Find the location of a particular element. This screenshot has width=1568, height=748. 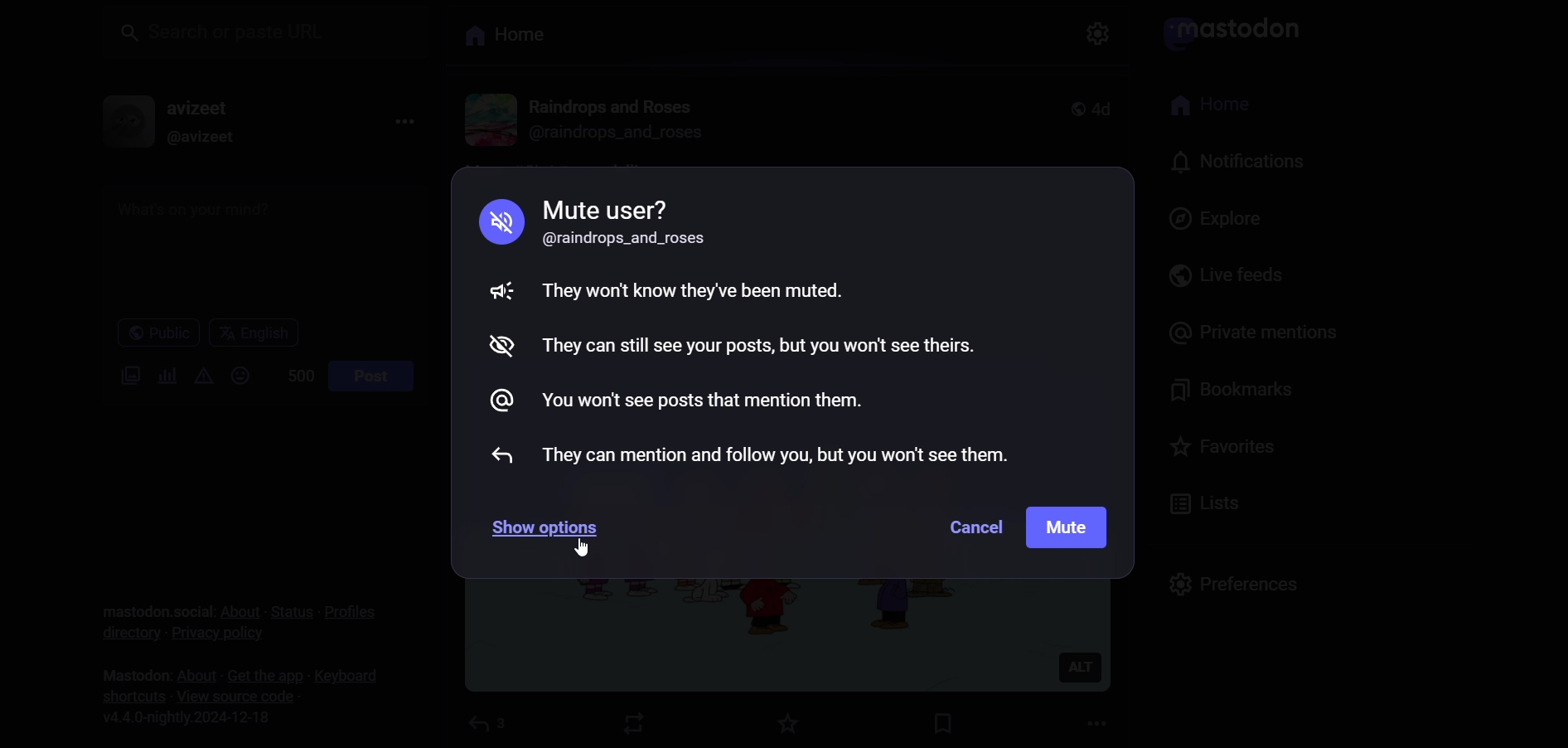

cursor is located at coordinates (580, 551).